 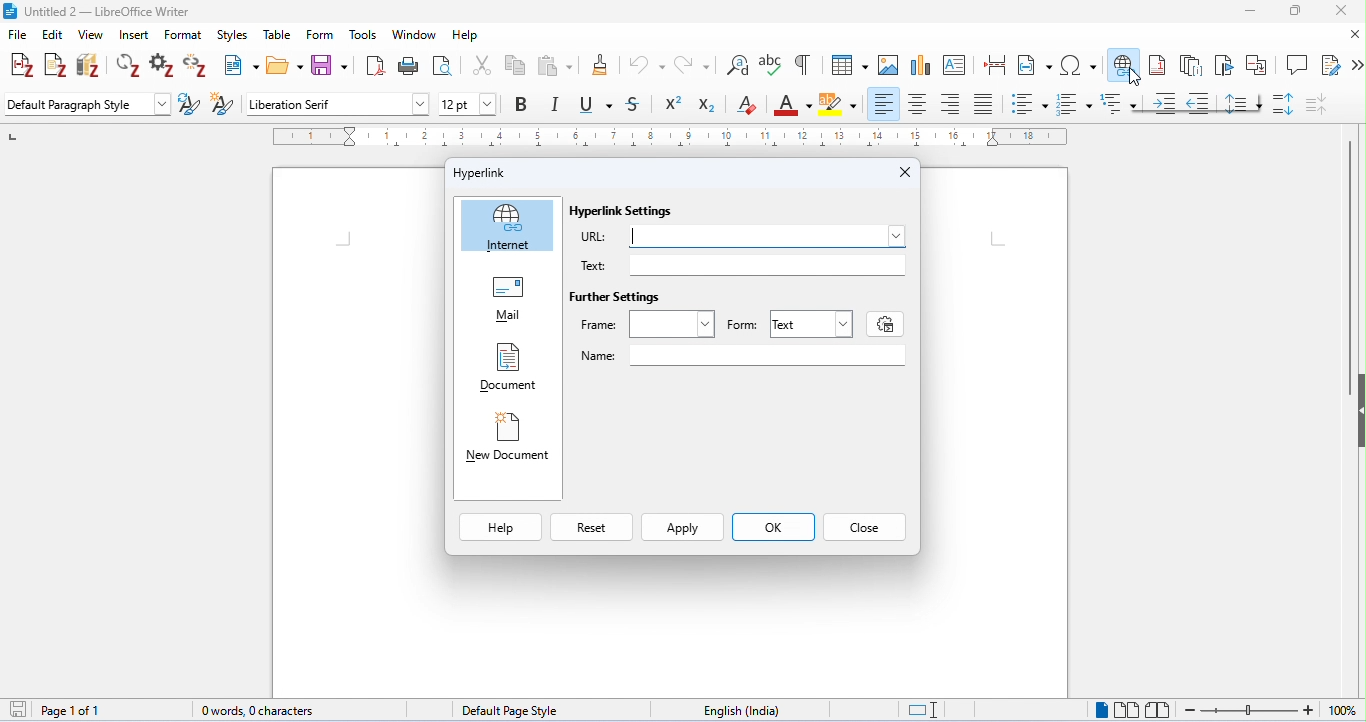 What do you see at coordinates (1200, 102) in the screenshot?
I see `decrease indent` at bounding box center [1200, 102].